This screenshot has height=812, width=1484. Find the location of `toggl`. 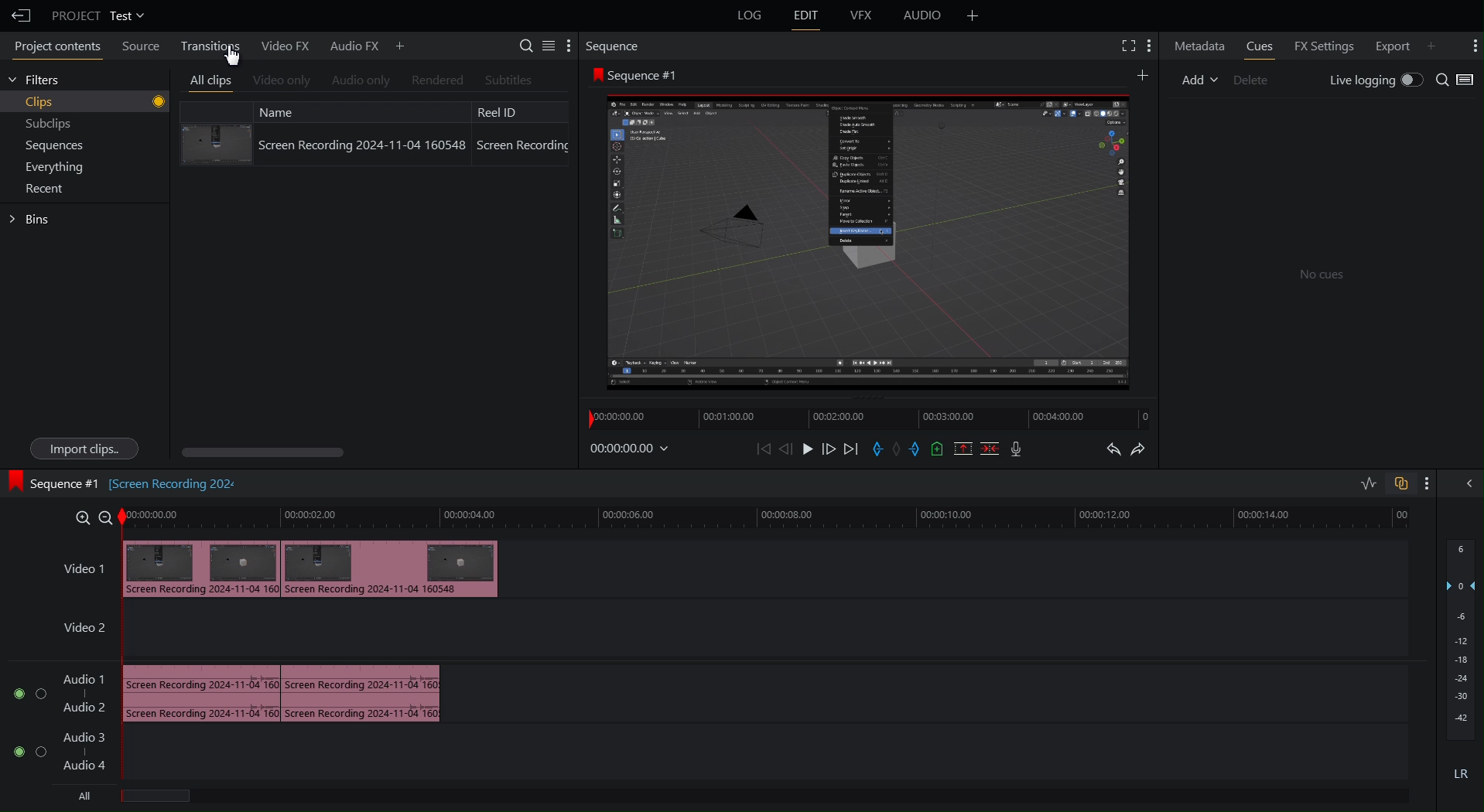

toggl is located at coordinates (40, 697).